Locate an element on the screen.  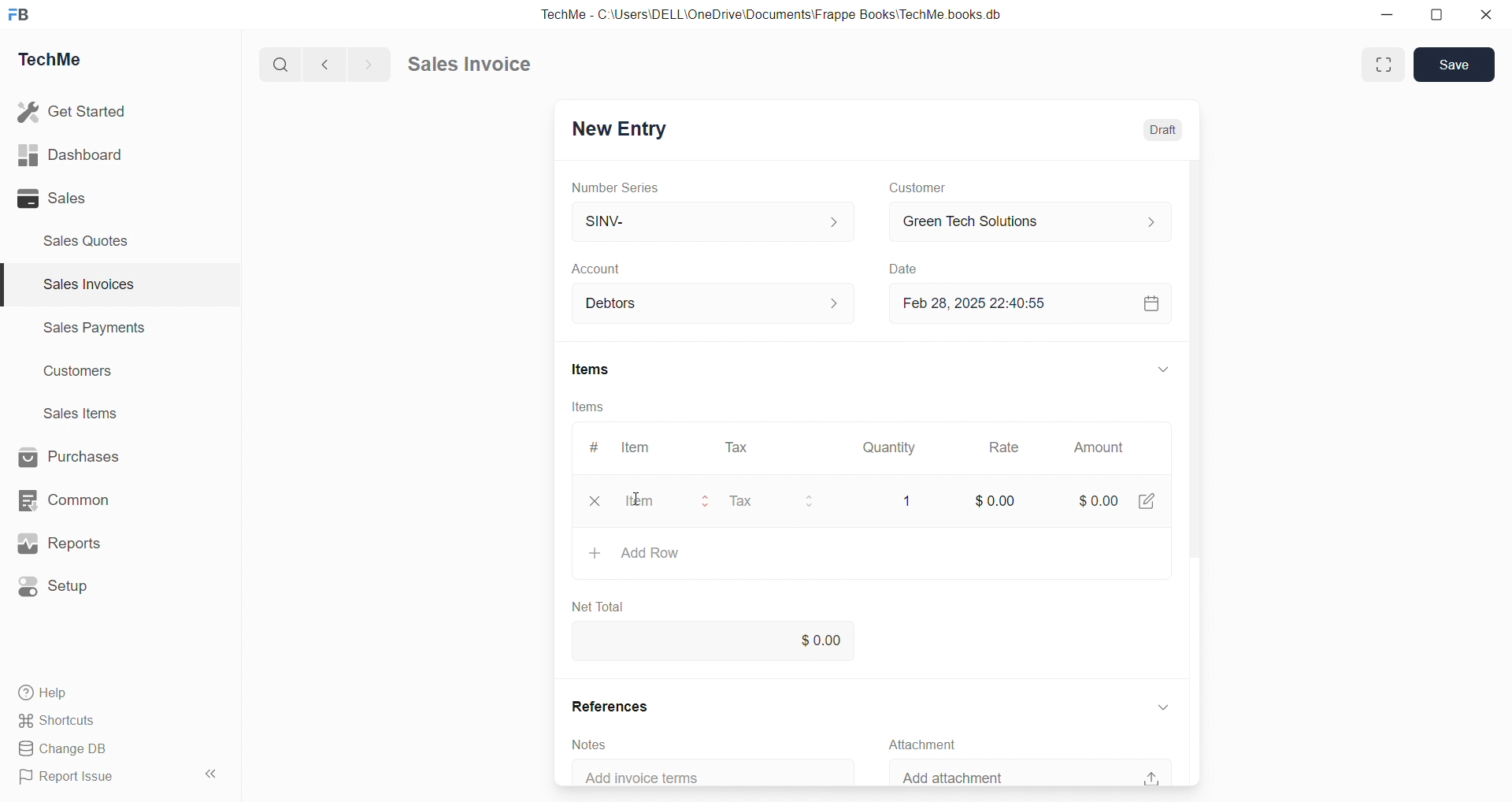
# is located at coordinates (595, 447).